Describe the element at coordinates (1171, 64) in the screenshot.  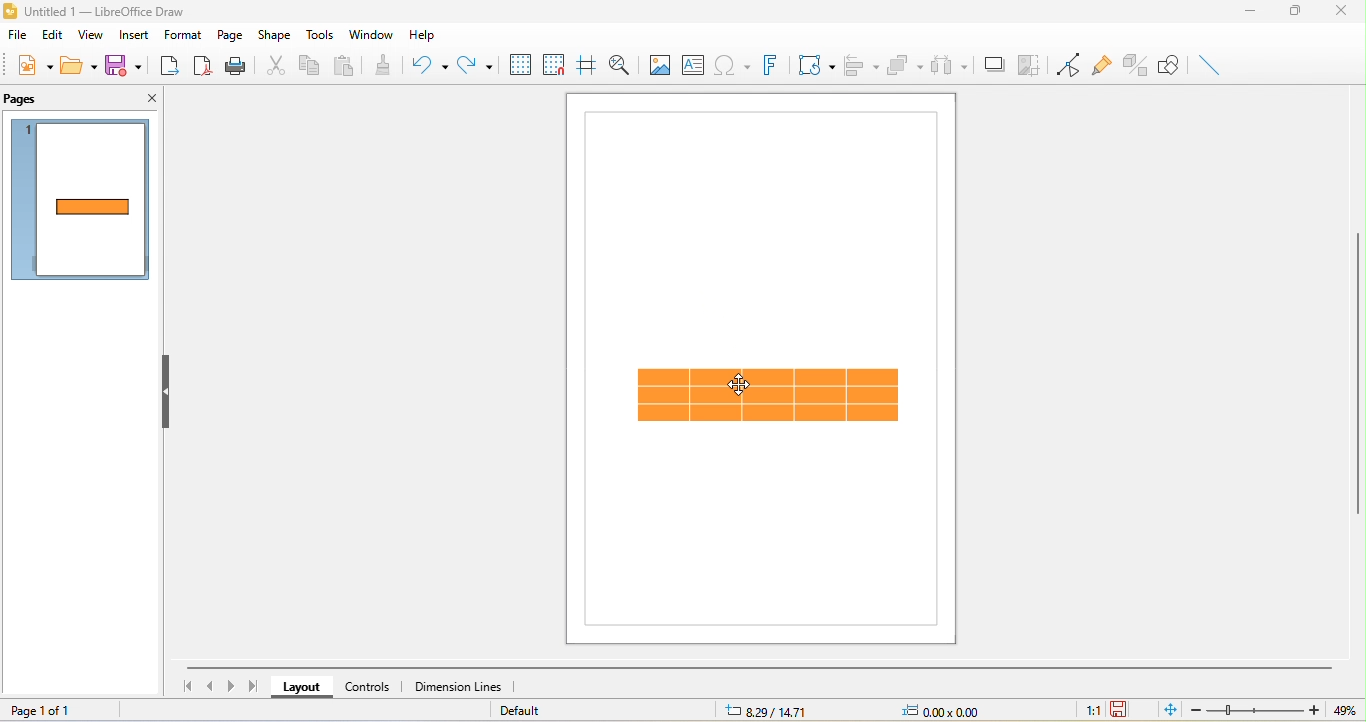
I see `show draw function` at that location.